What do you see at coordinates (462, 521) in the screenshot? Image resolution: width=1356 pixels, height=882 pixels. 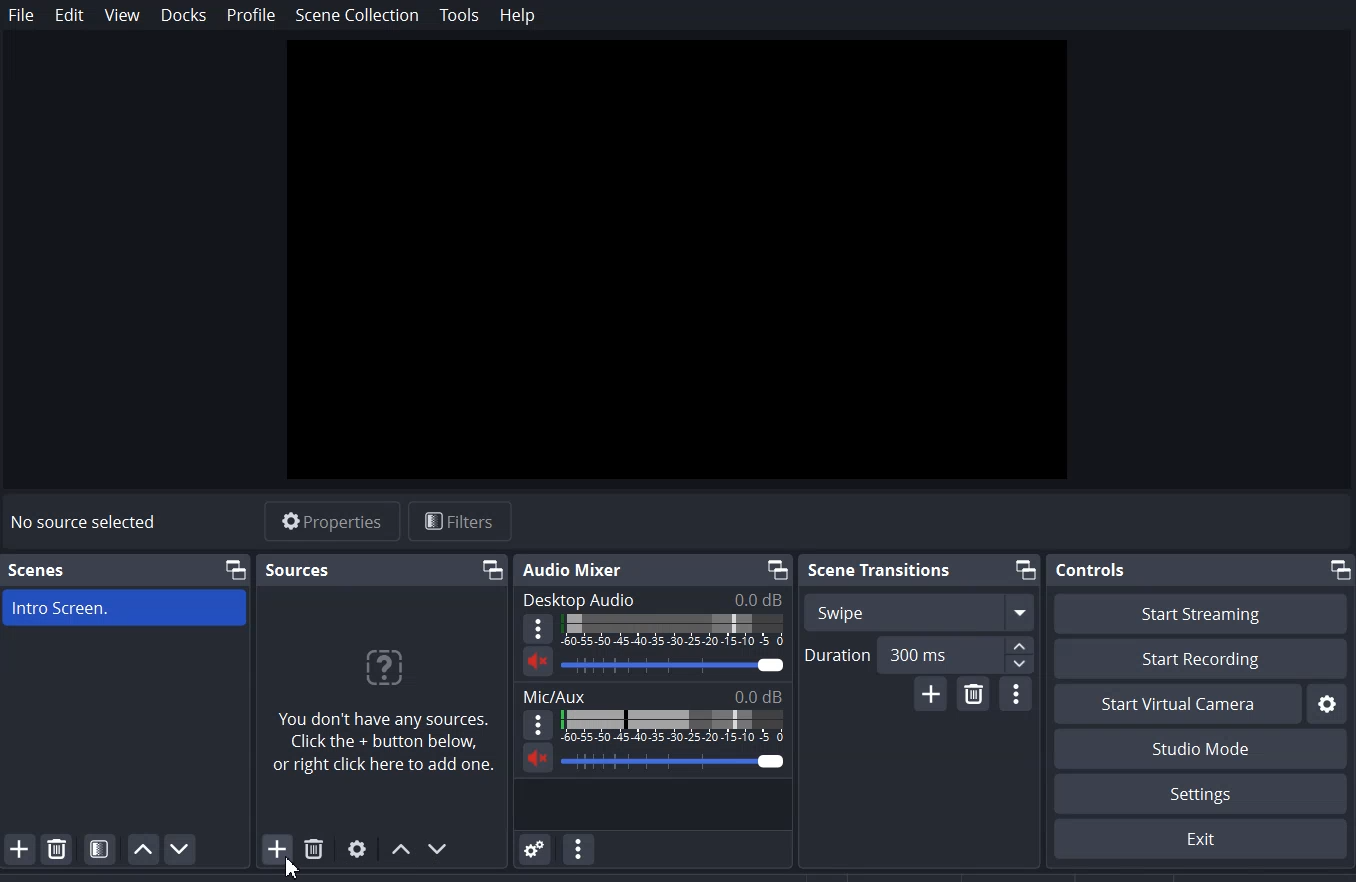 I see `Filters` at bounding box center [462, 521].